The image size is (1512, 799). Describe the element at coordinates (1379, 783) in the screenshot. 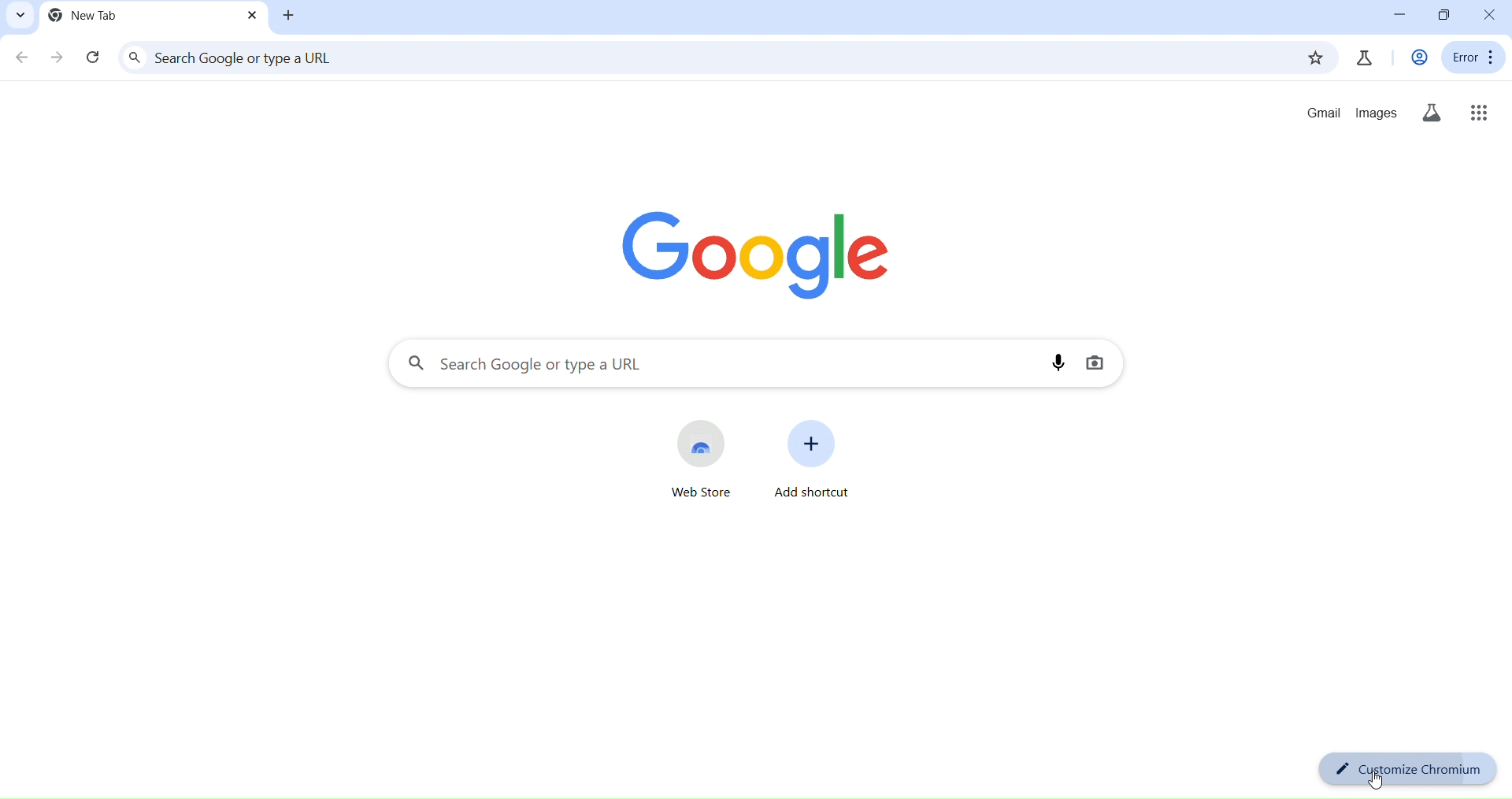

I see `cursor` at that location.